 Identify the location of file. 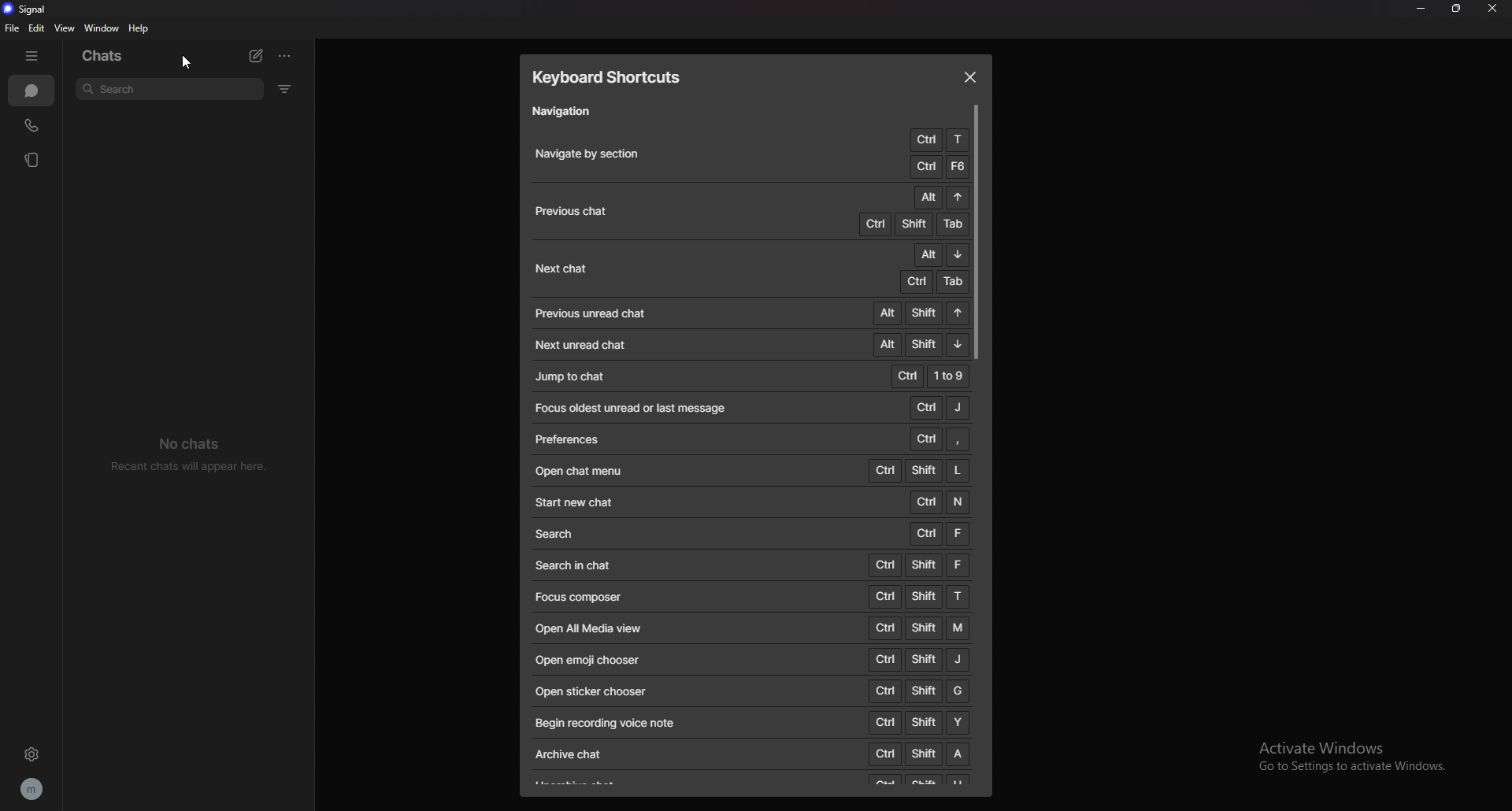
(13, 28).